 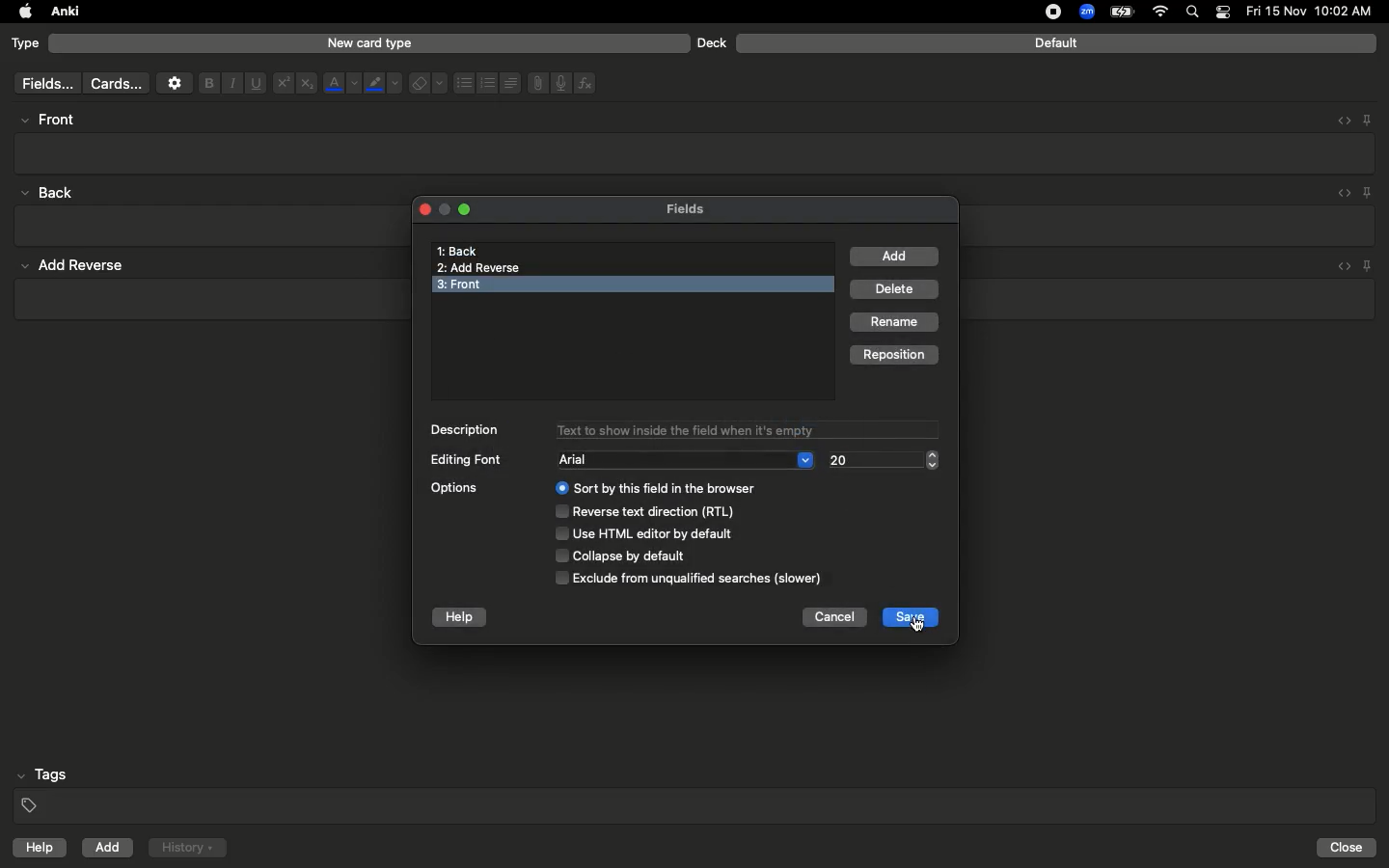 I want to click on Embed, so click(x=1340, y=194).